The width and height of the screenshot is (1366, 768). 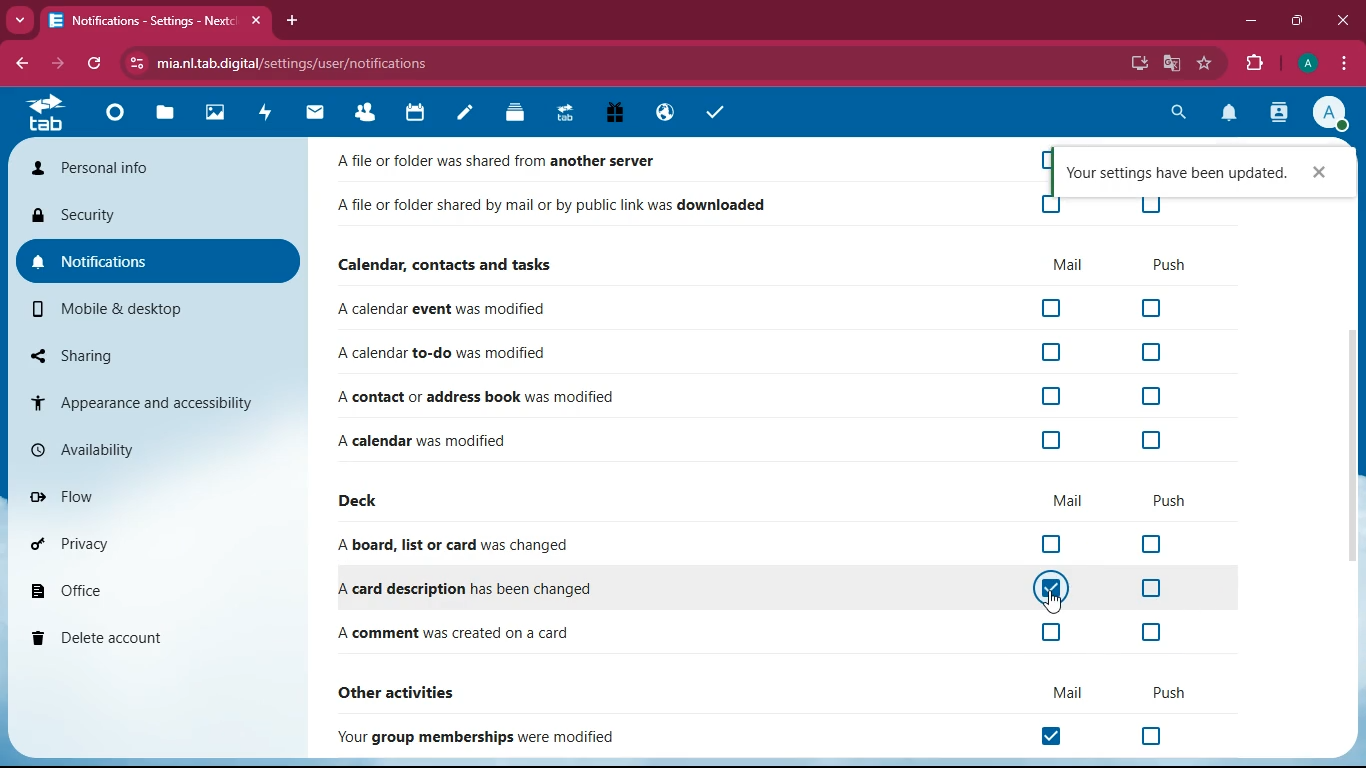 I want to click on mail, so click(x=315, y=112).